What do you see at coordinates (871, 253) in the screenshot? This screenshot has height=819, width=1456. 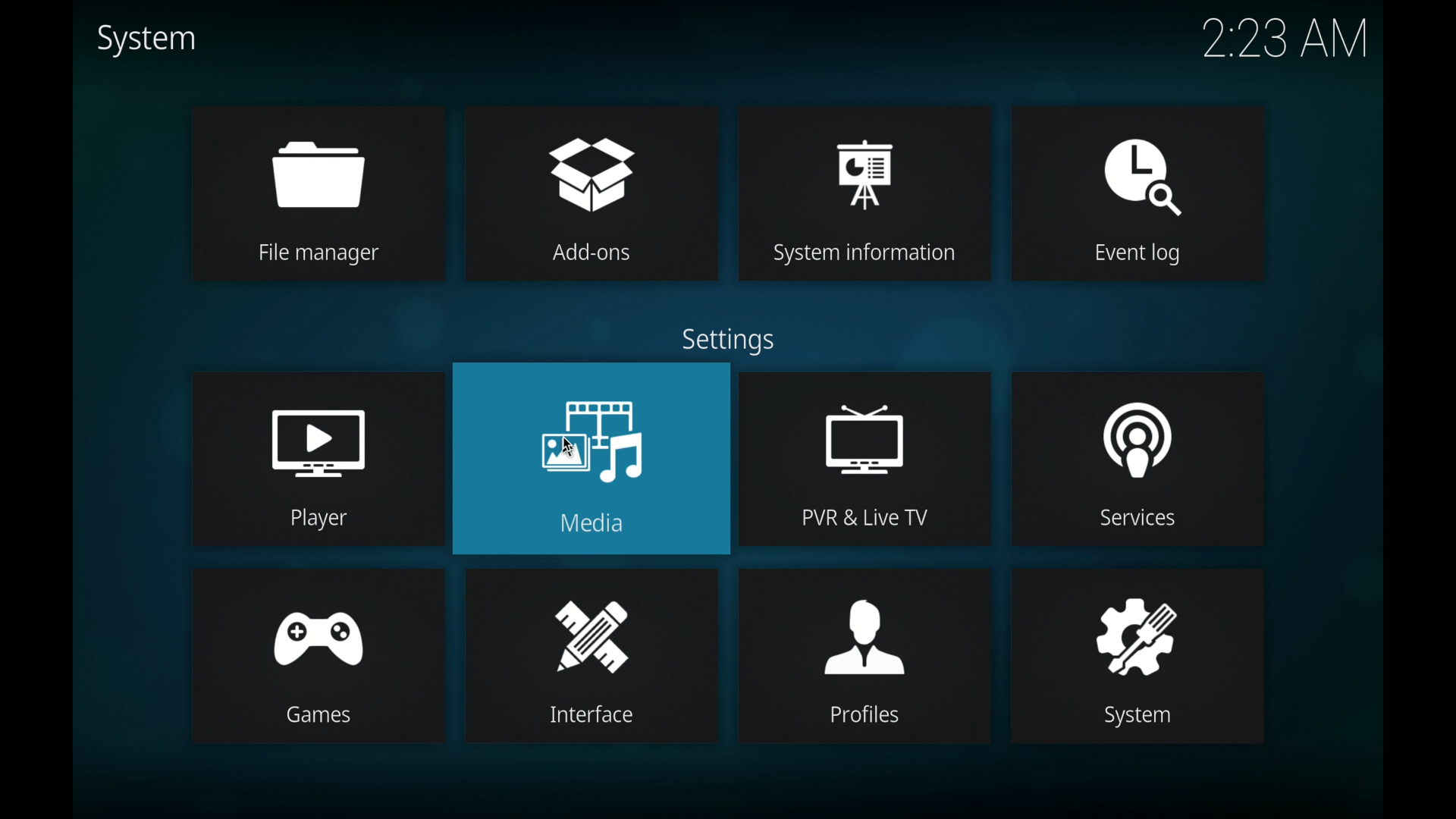 I see `System information` at bounding box center [871, 253].